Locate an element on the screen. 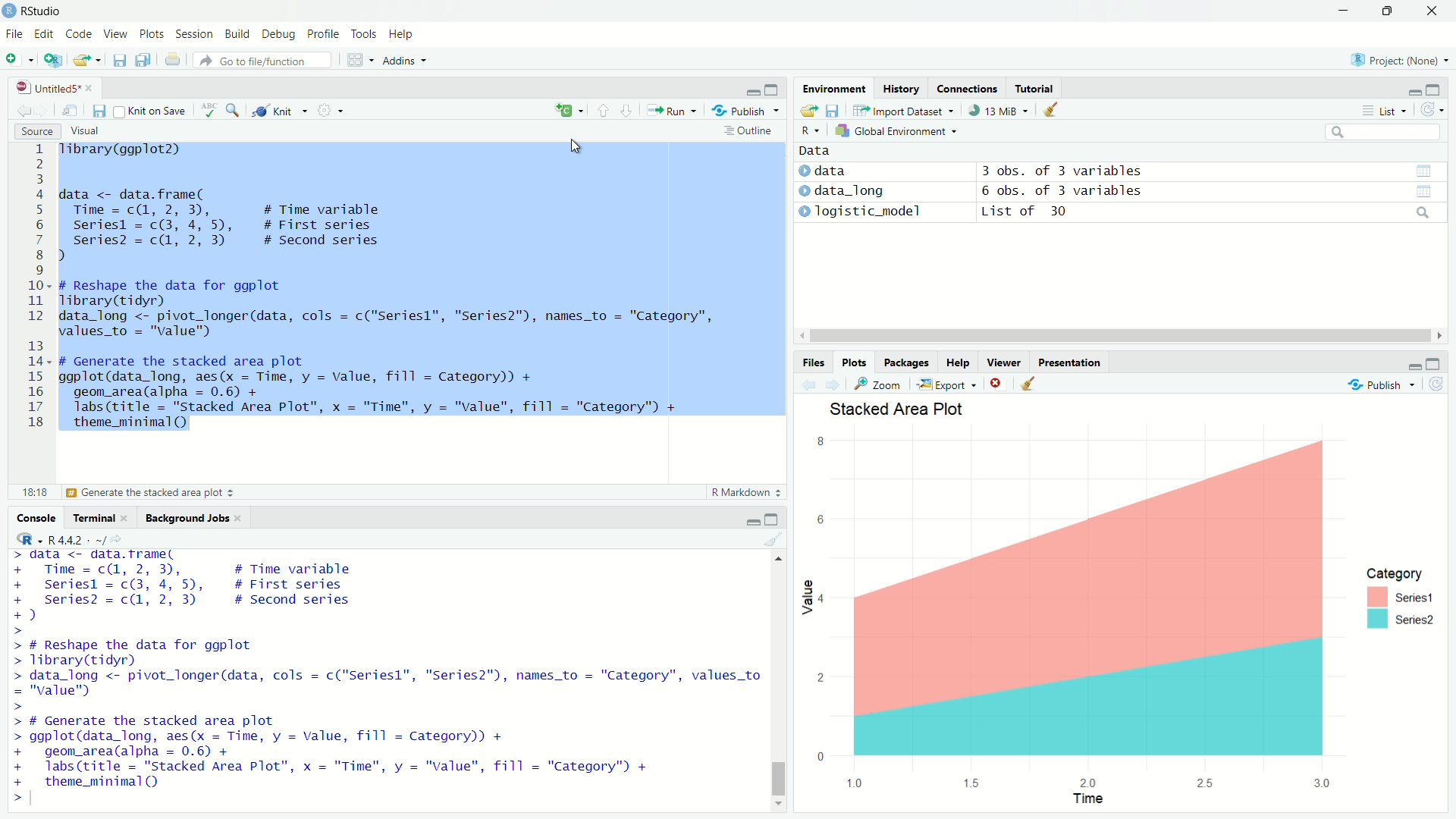  Stacked Area Plot is located at coordinates (921, 413).